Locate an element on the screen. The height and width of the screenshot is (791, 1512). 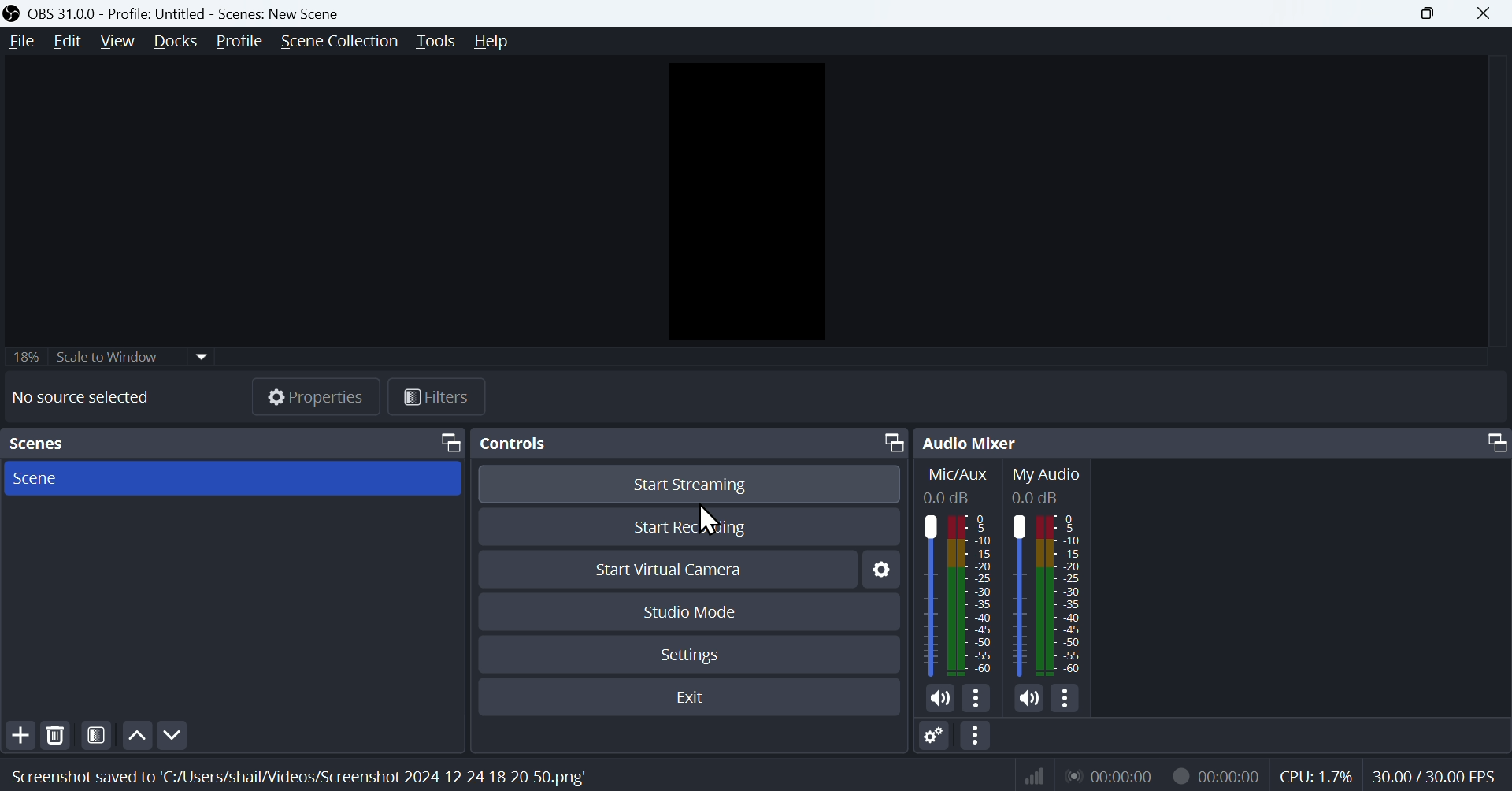
Maximize is located at coordinates (888, 440).